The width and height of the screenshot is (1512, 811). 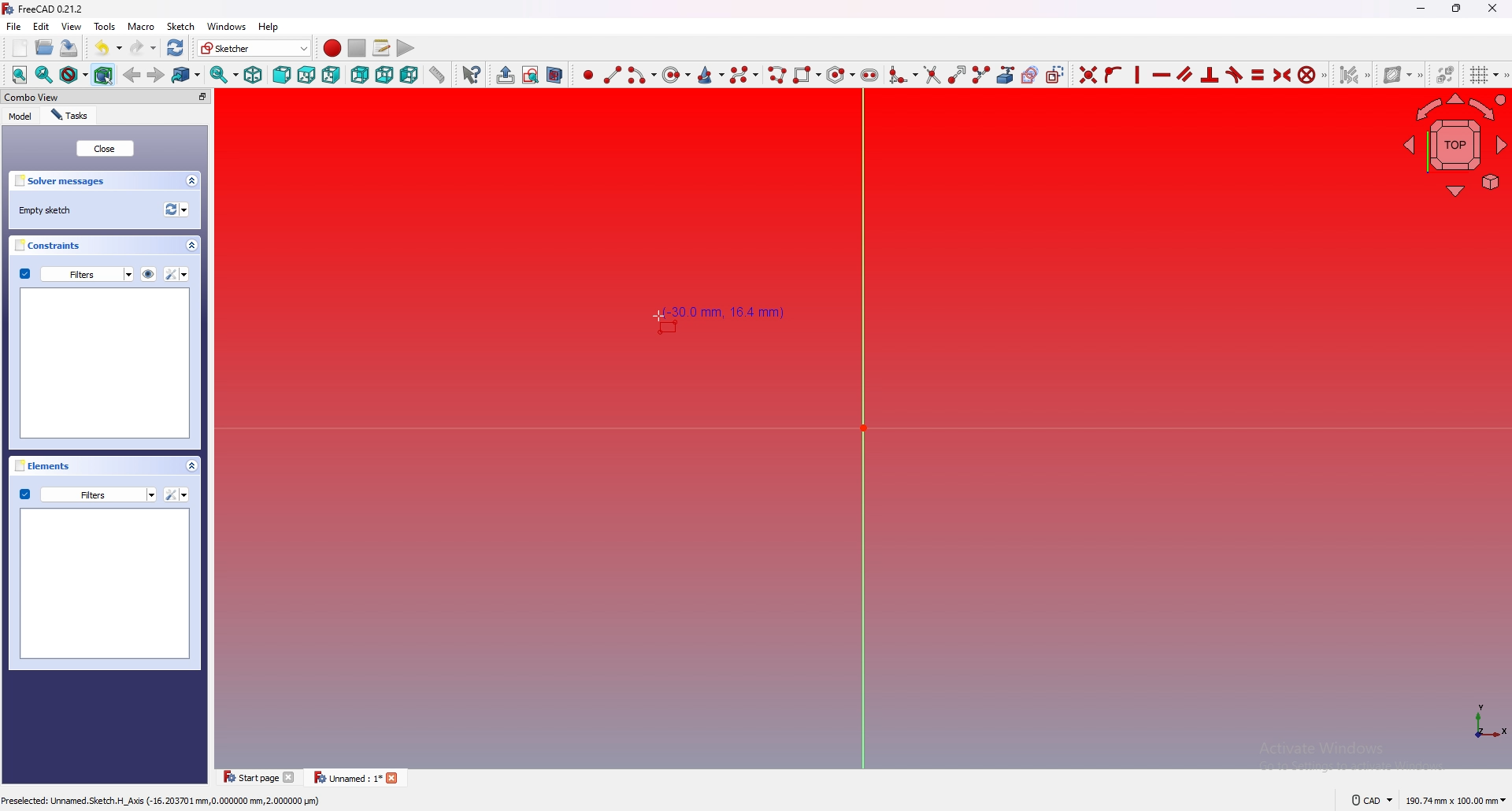 What do you see at coordinates (47, 245) in the screenshot?
I see `constraints` at bounding box center [47, 245].